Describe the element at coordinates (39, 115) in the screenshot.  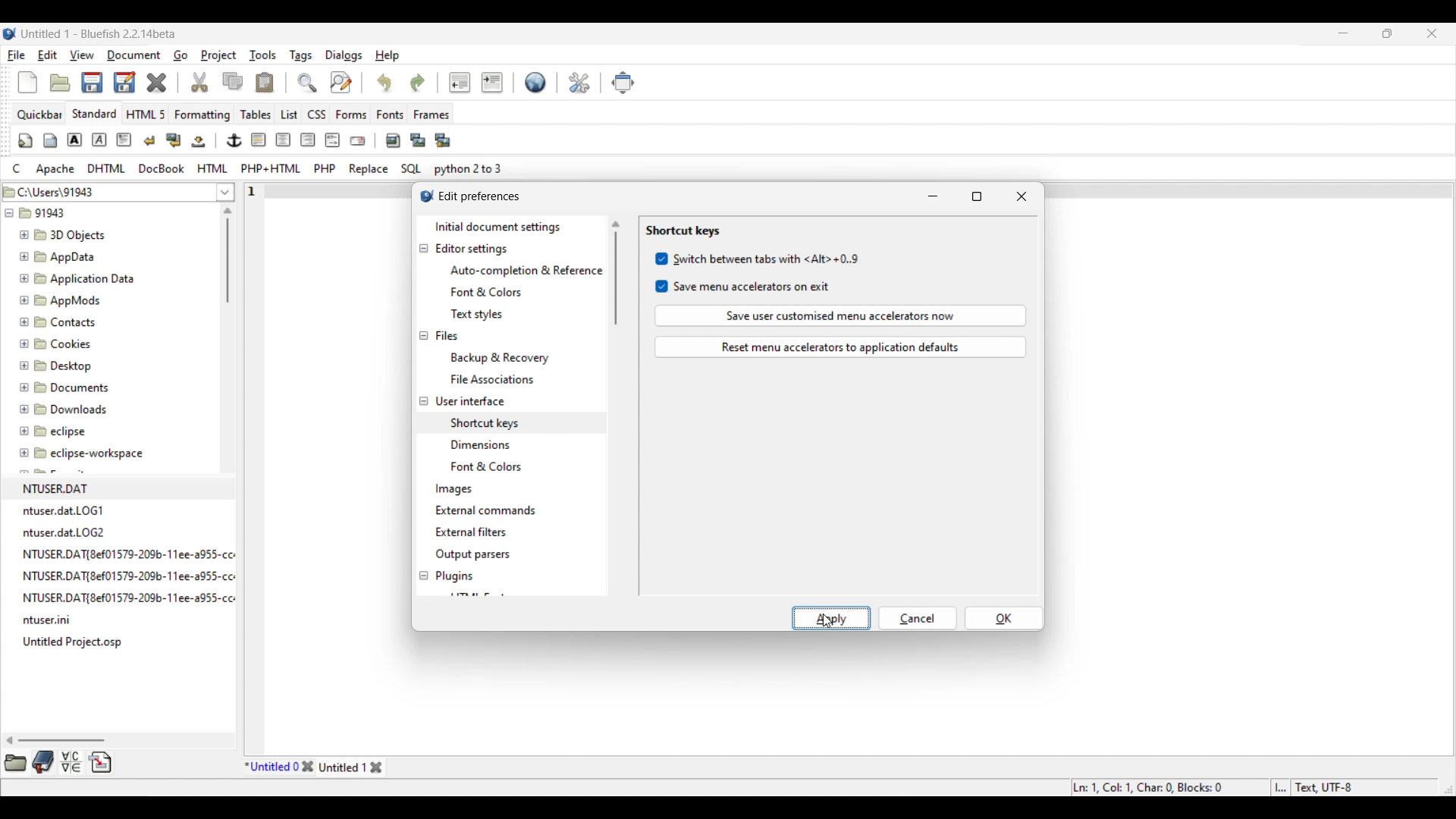
I see `Quickbar` at that location.